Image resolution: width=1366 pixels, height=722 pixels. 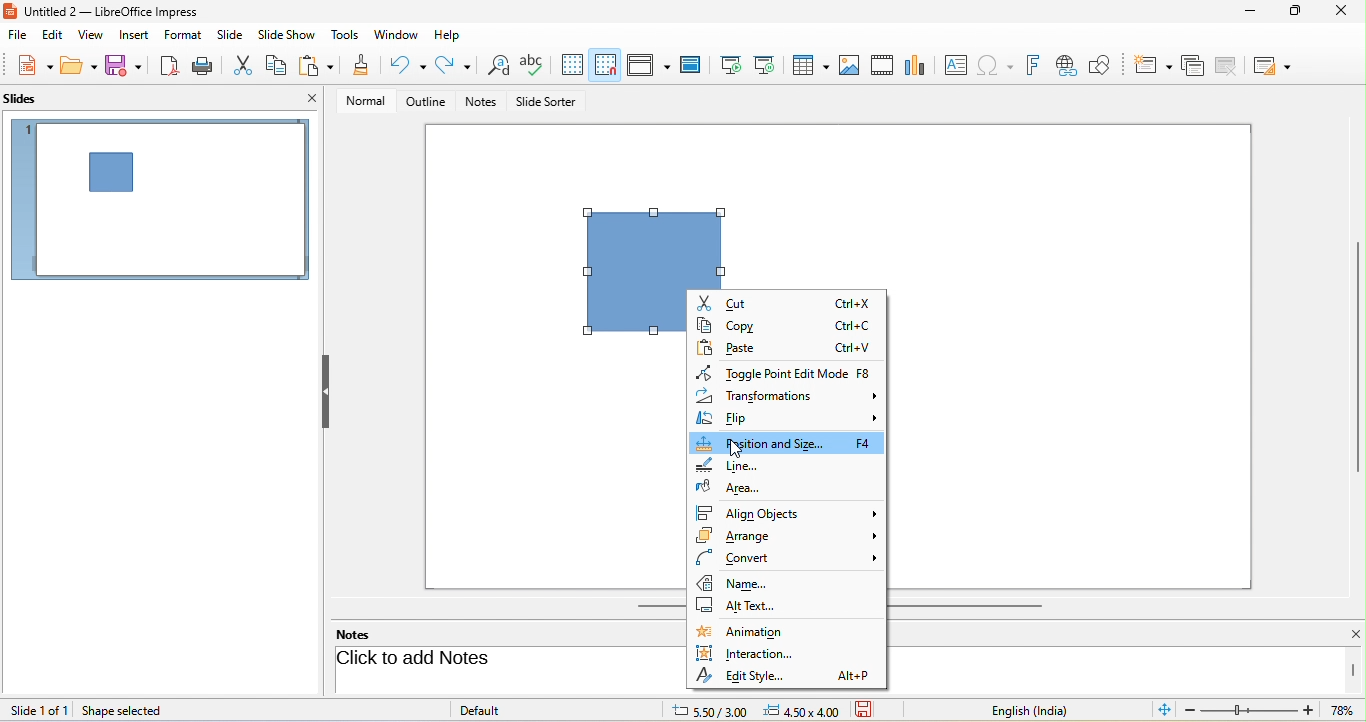 I want to click on normal, so click(x=359, y=100).